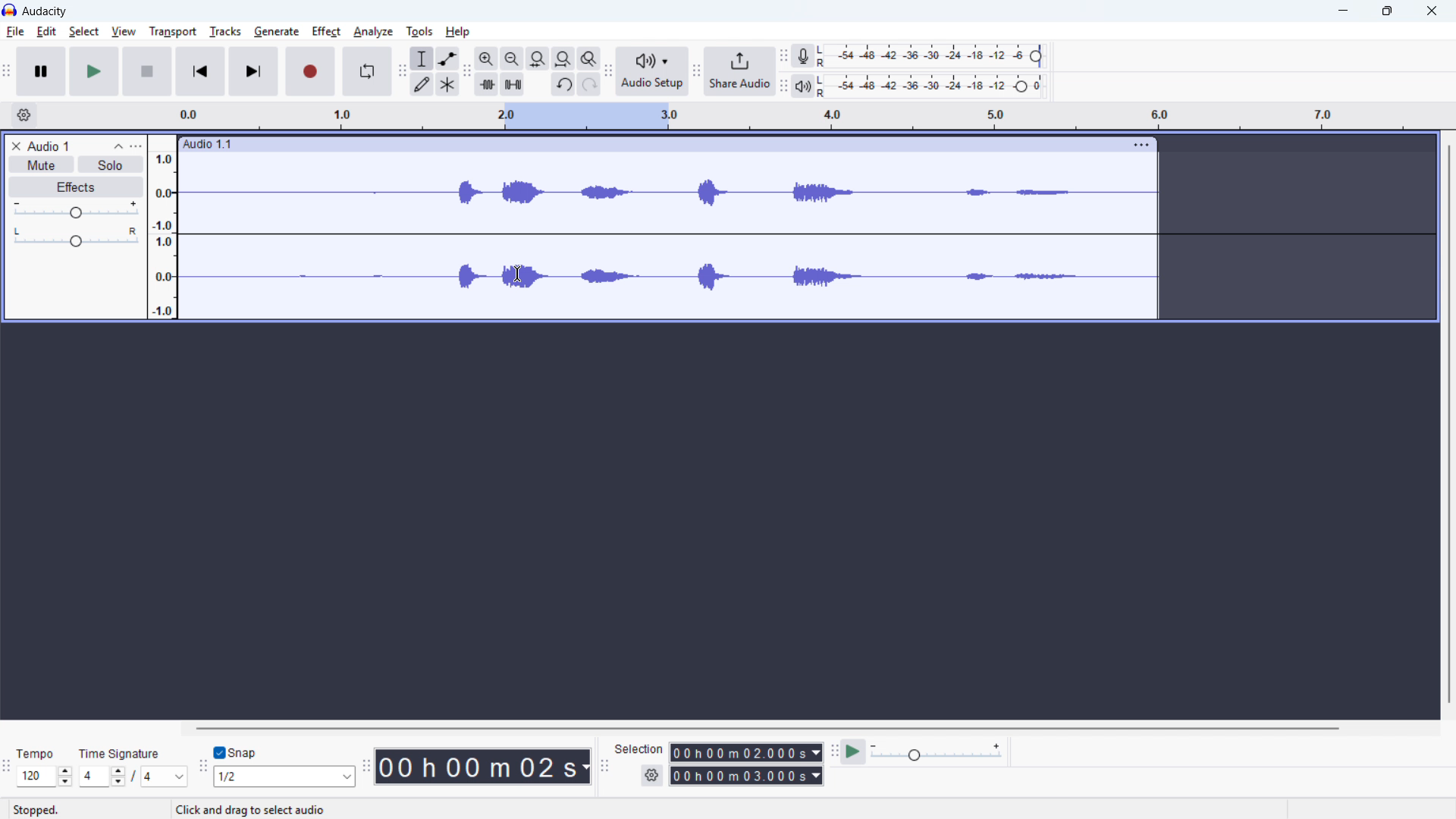  I want to click on Set snapping, so click(285, 777).